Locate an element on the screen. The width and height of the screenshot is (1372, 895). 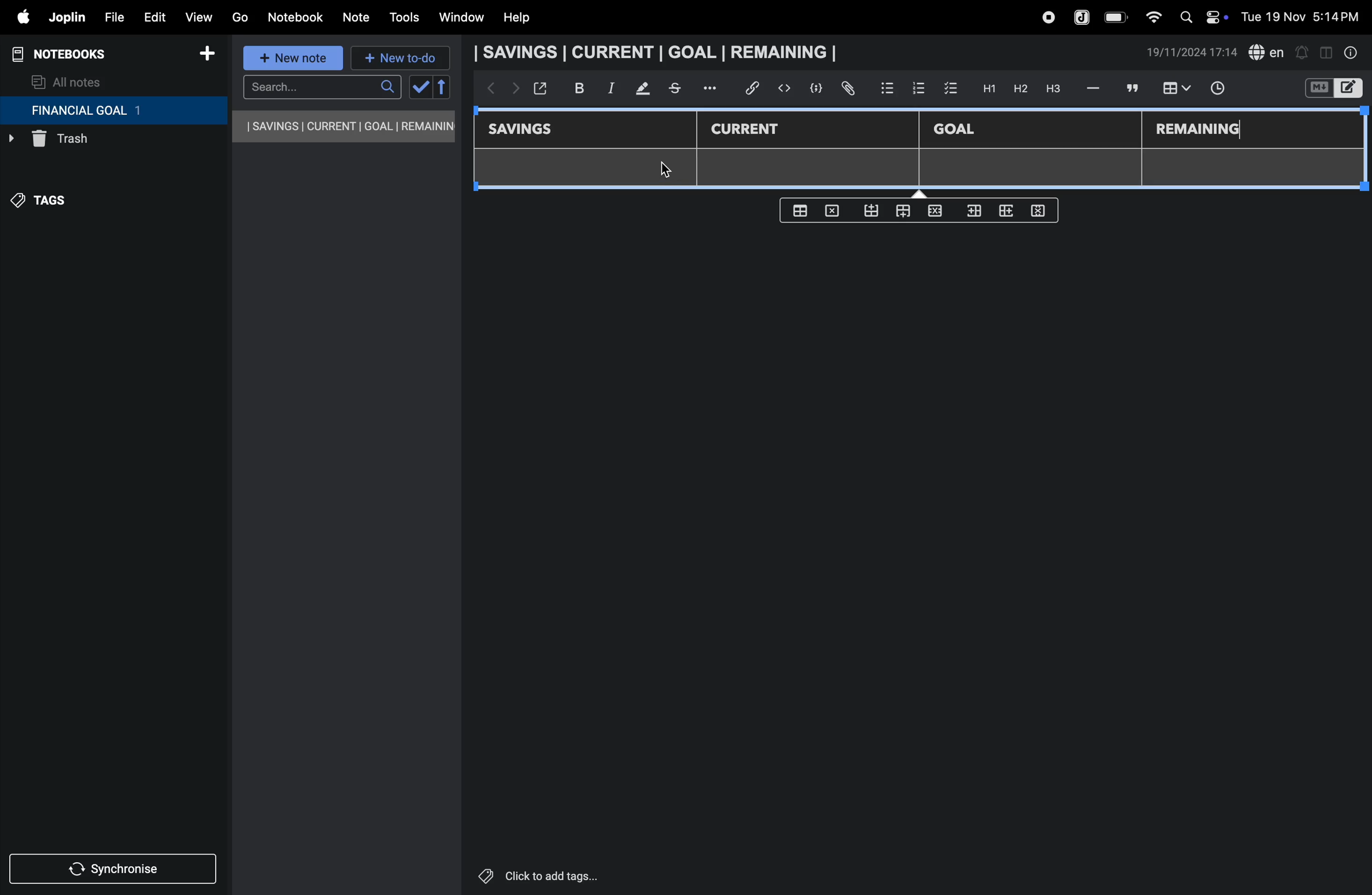
options is located at coordinates (712, 88).